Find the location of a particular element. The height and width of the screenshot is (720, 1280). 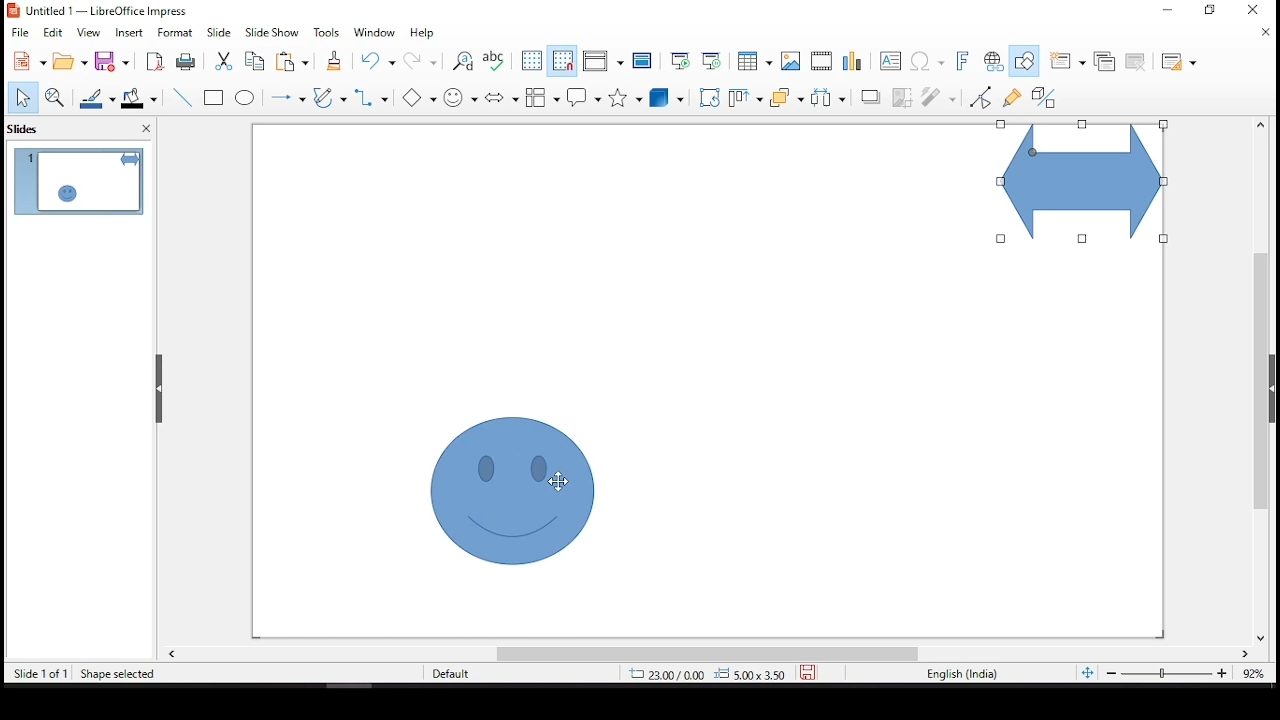

select tool is located at coordinates (22, 99).